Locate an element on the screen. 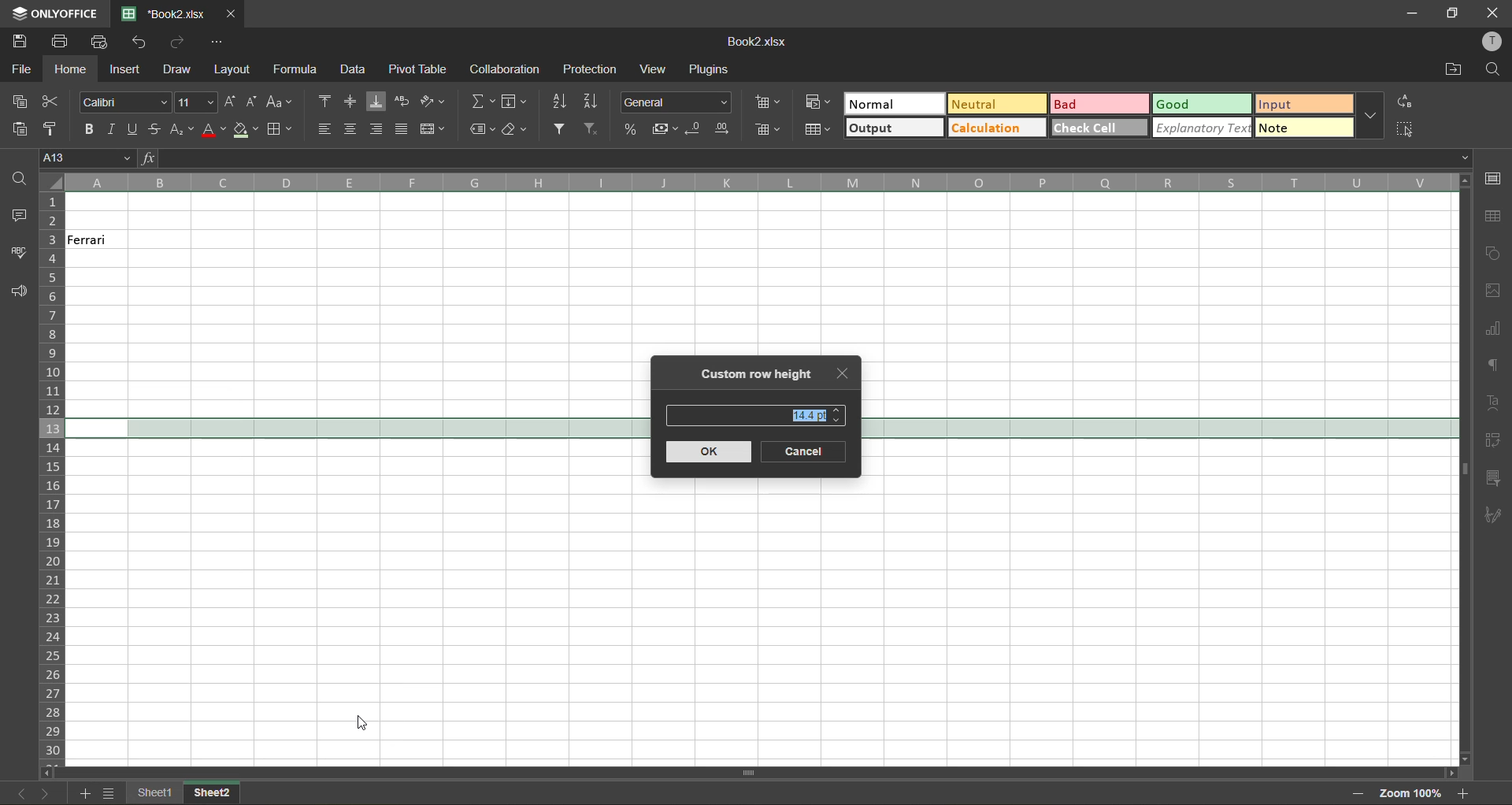 Image resolution: width=1512 pixels, height=805 pixels. normal is located at coordinates (895, 105).